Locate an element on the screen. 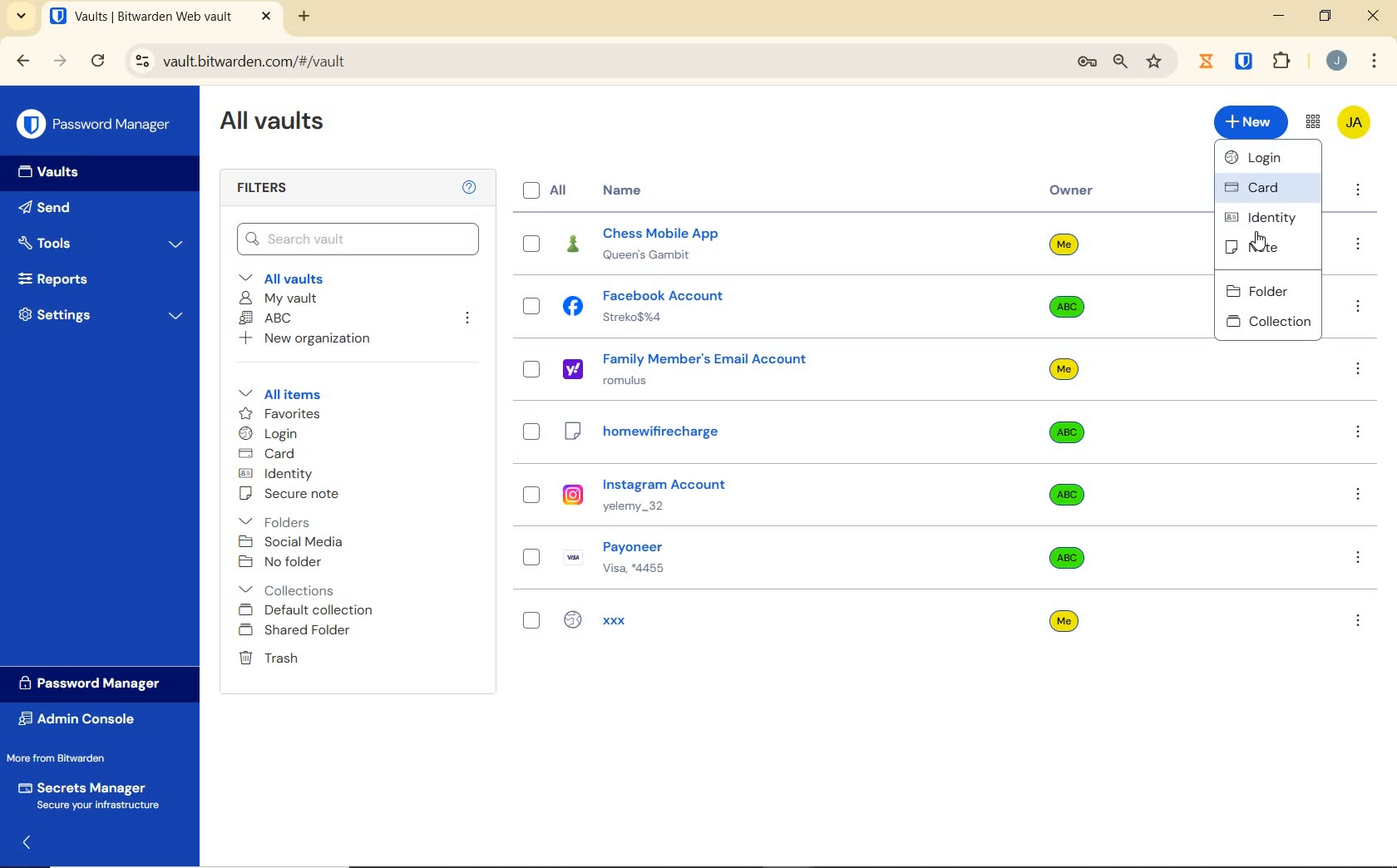  name is located at coordinates (624, 190).